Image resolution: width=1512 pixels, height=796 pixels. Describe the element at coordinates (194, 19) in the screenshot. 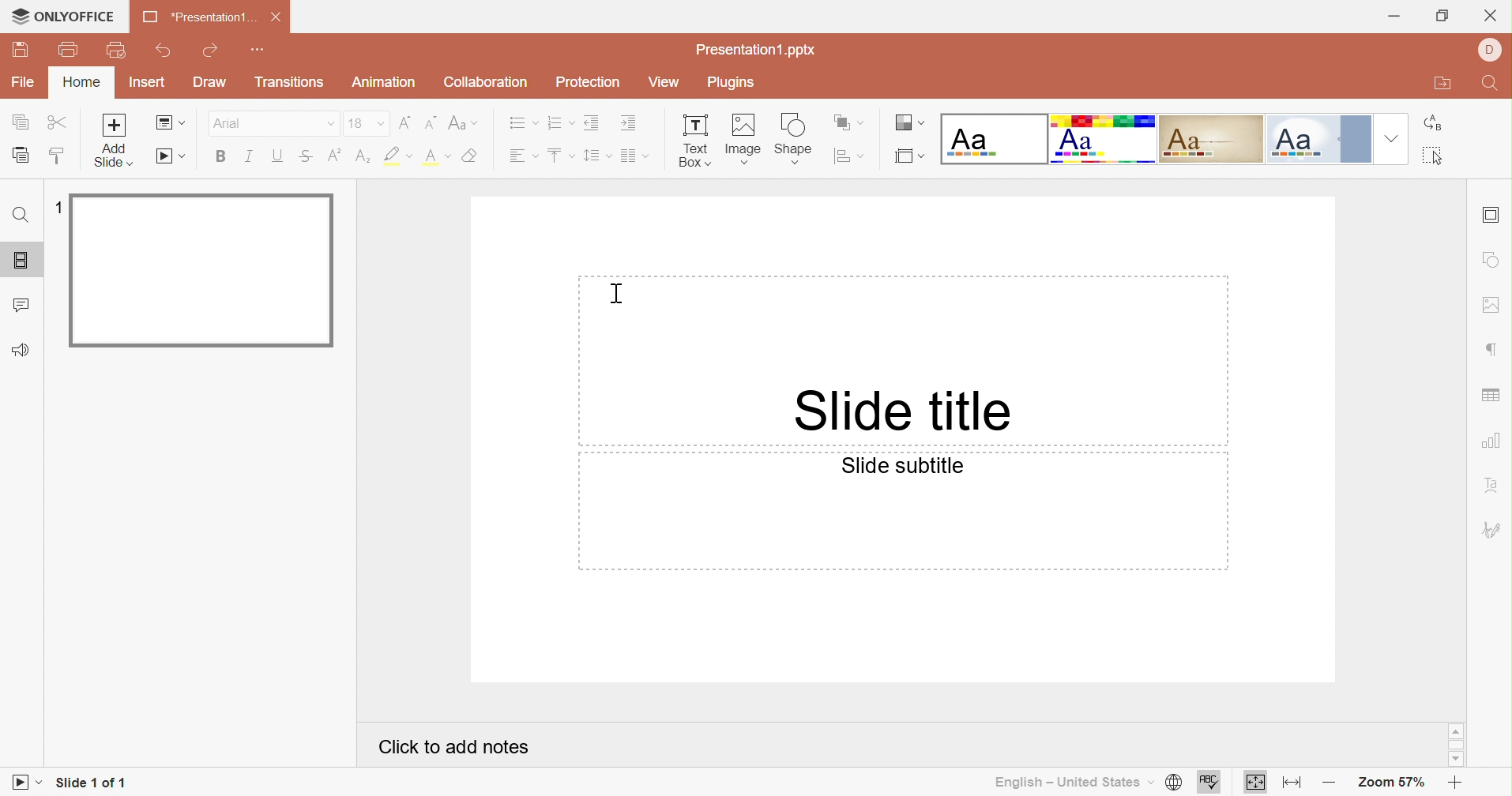

I see `Presentation1` at that location.